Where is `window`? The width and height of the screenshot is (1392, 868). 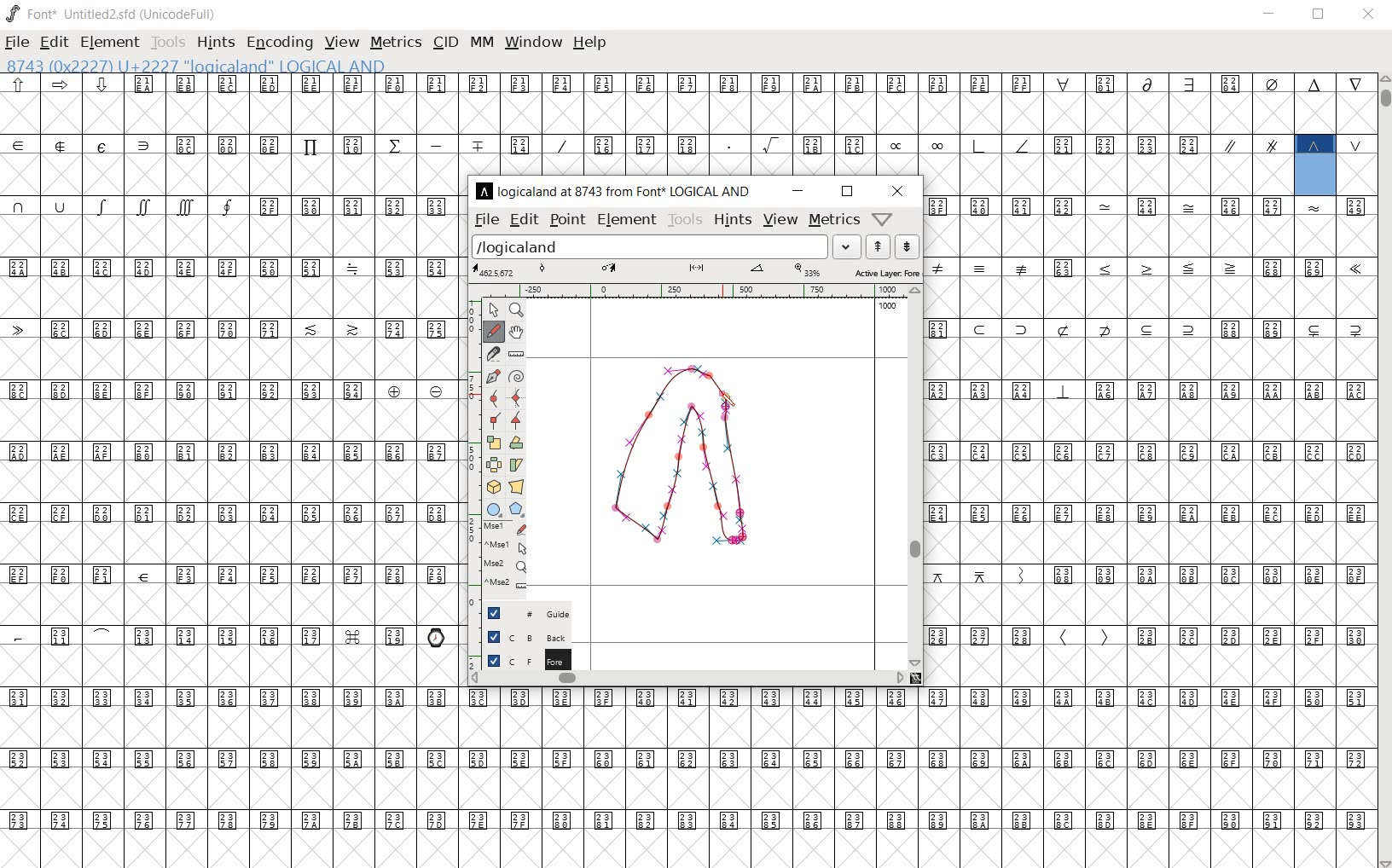 window is located at coordinates (532, 42).